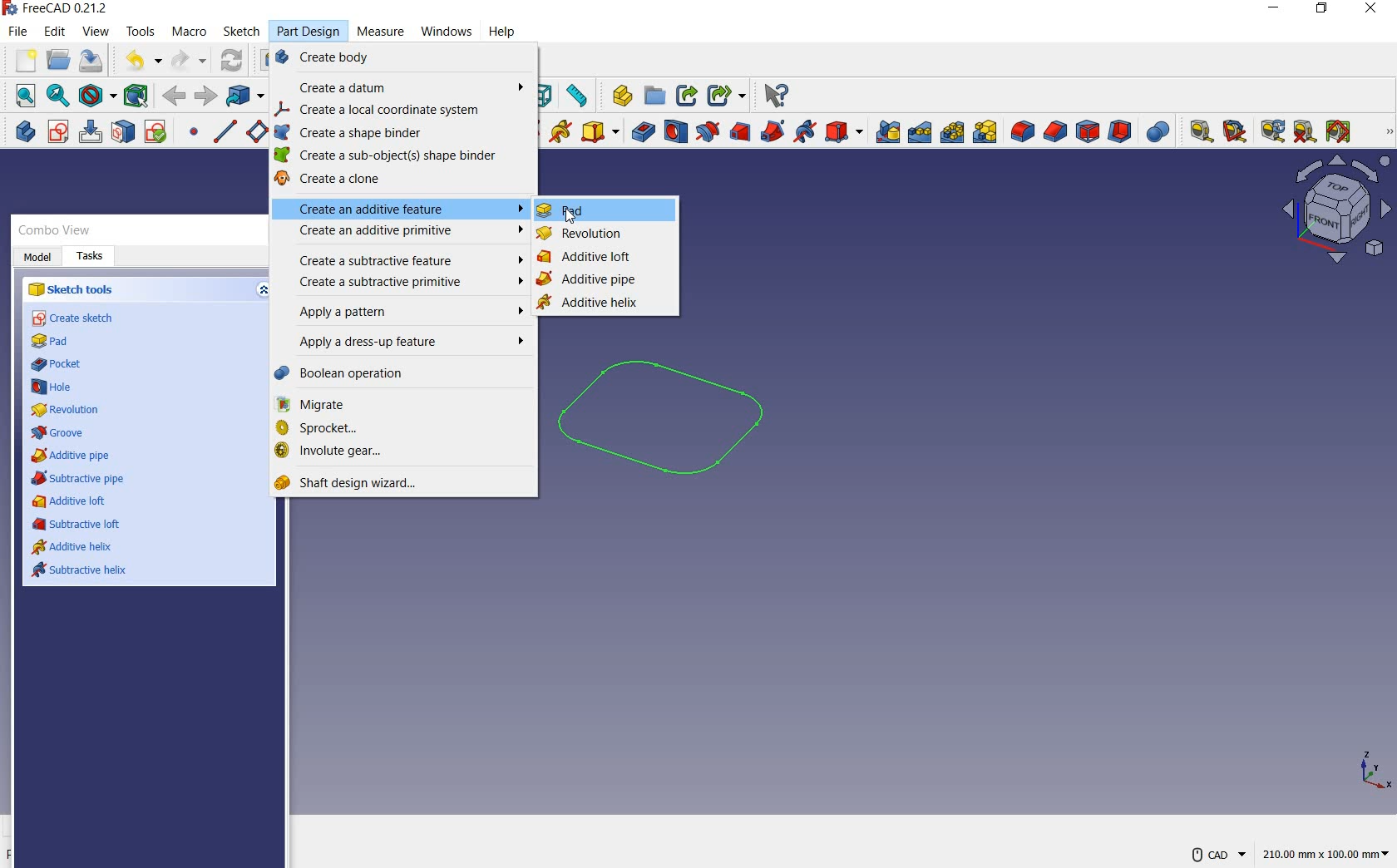 This screenshot has width=1397, height=868. I want to click on forward, so click(175, 95).